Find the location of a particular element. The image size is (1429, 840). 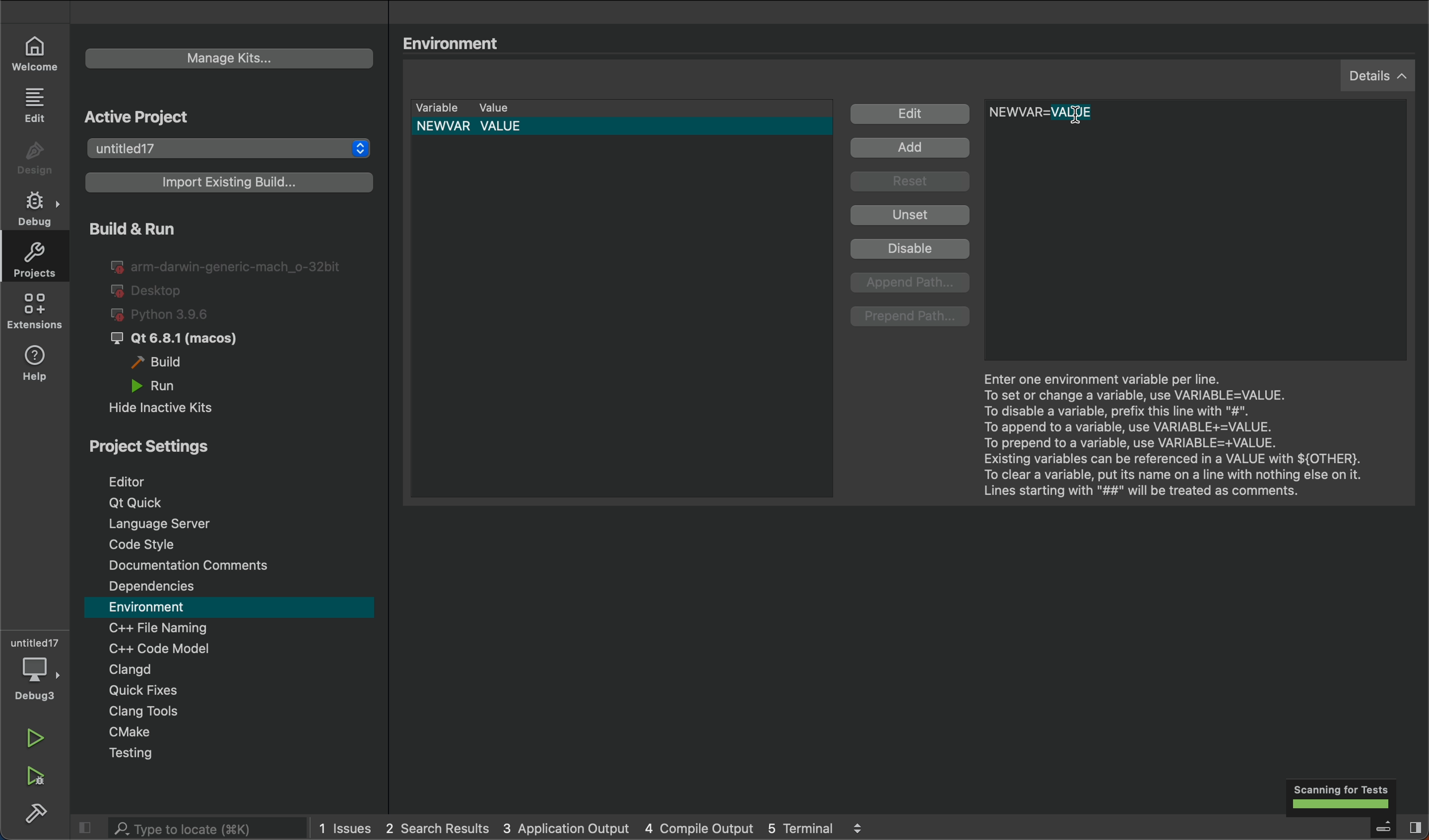

hide inactive kits is located at coordinates (173, 406).